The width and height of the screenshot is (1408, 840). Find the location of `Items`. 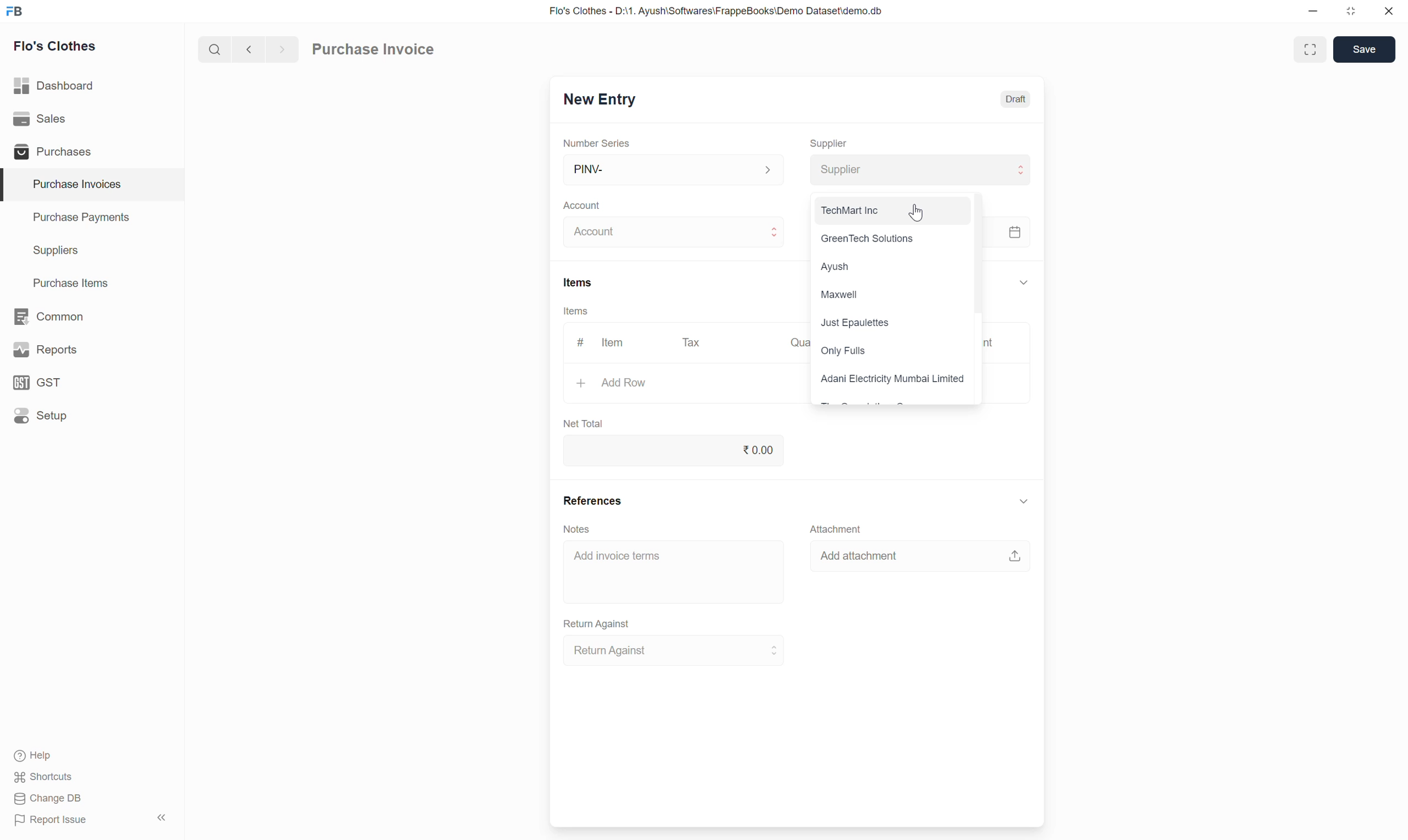

Items is located at coordinates (579, 282).